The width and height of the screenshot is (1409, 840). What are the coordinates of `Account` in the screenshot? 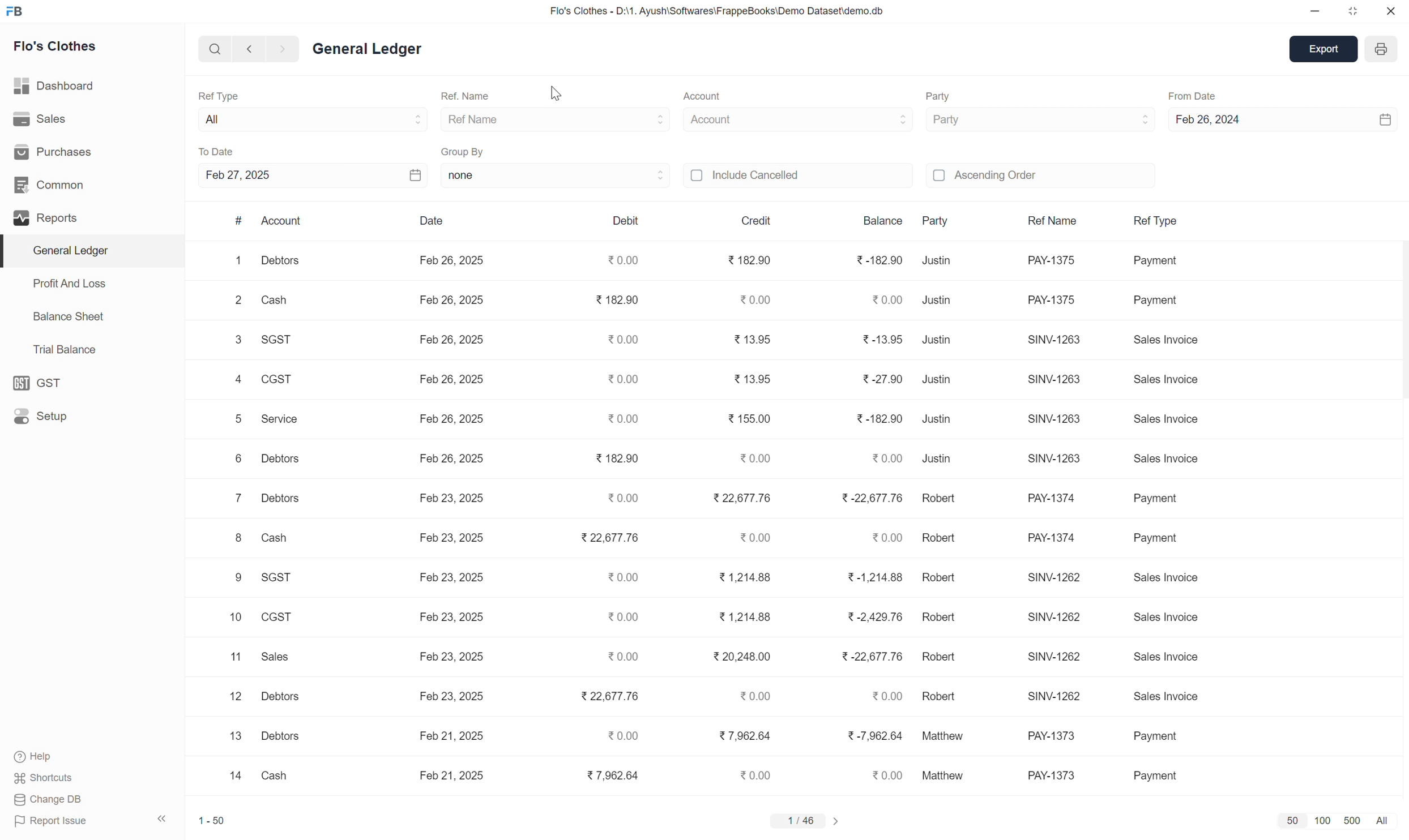 It's located at (795, 120).